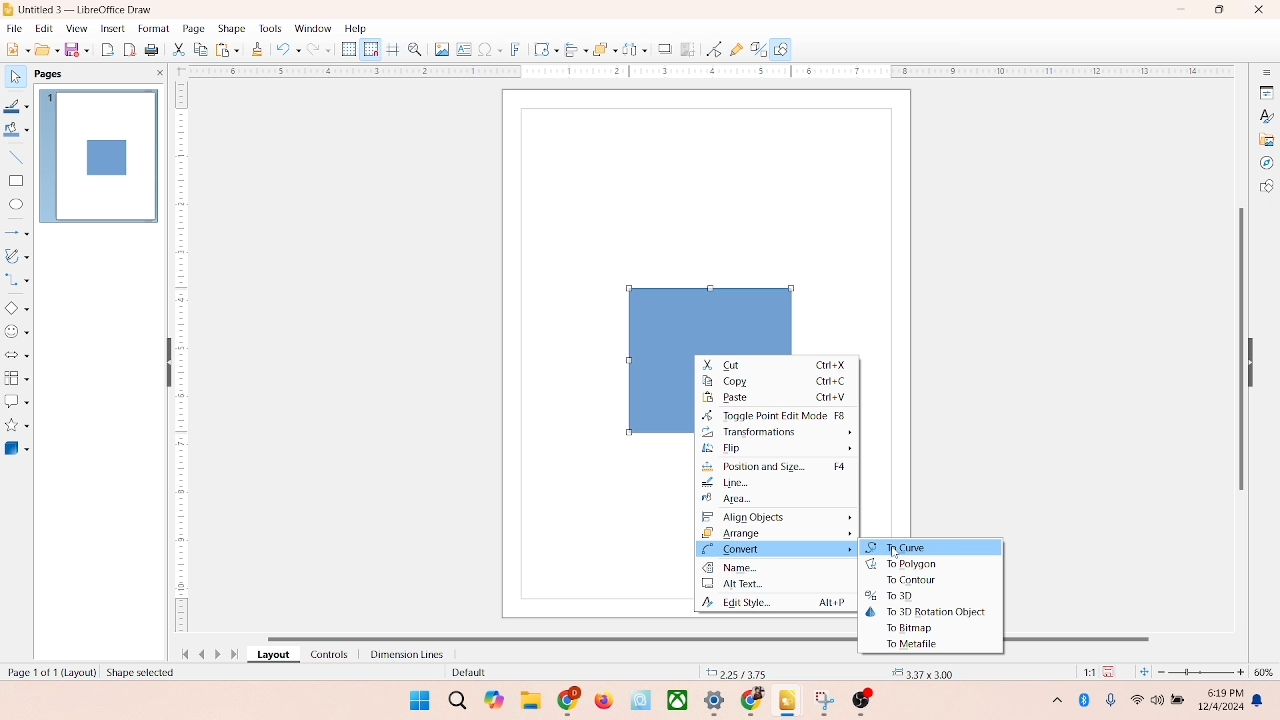 This screenshot has width=1280, height=720. I want to click on point edit mode, so click(714, 48).